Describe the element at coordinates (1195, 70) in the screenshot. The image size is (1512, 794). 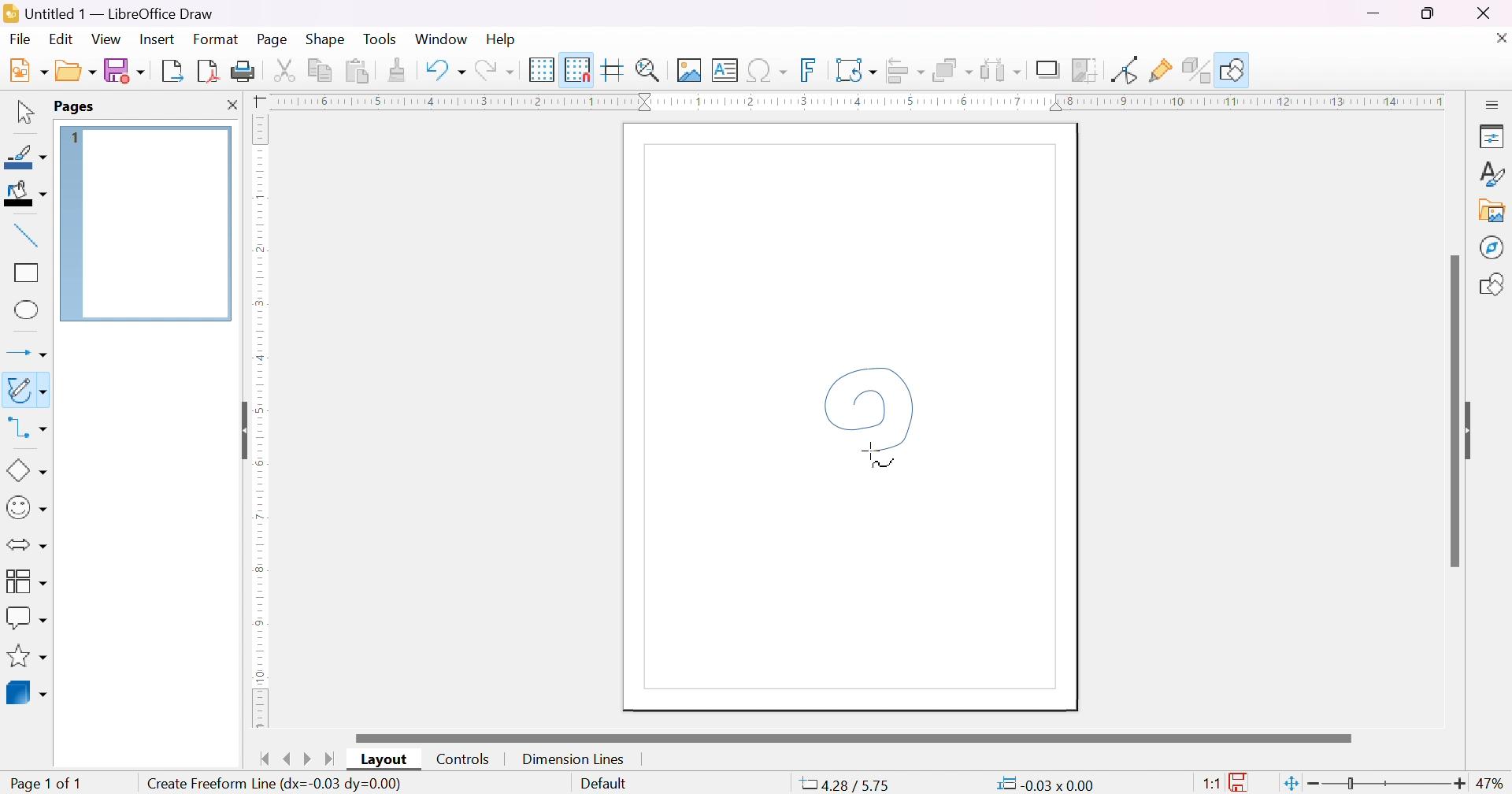
I see `toggle extrusion` at that location.